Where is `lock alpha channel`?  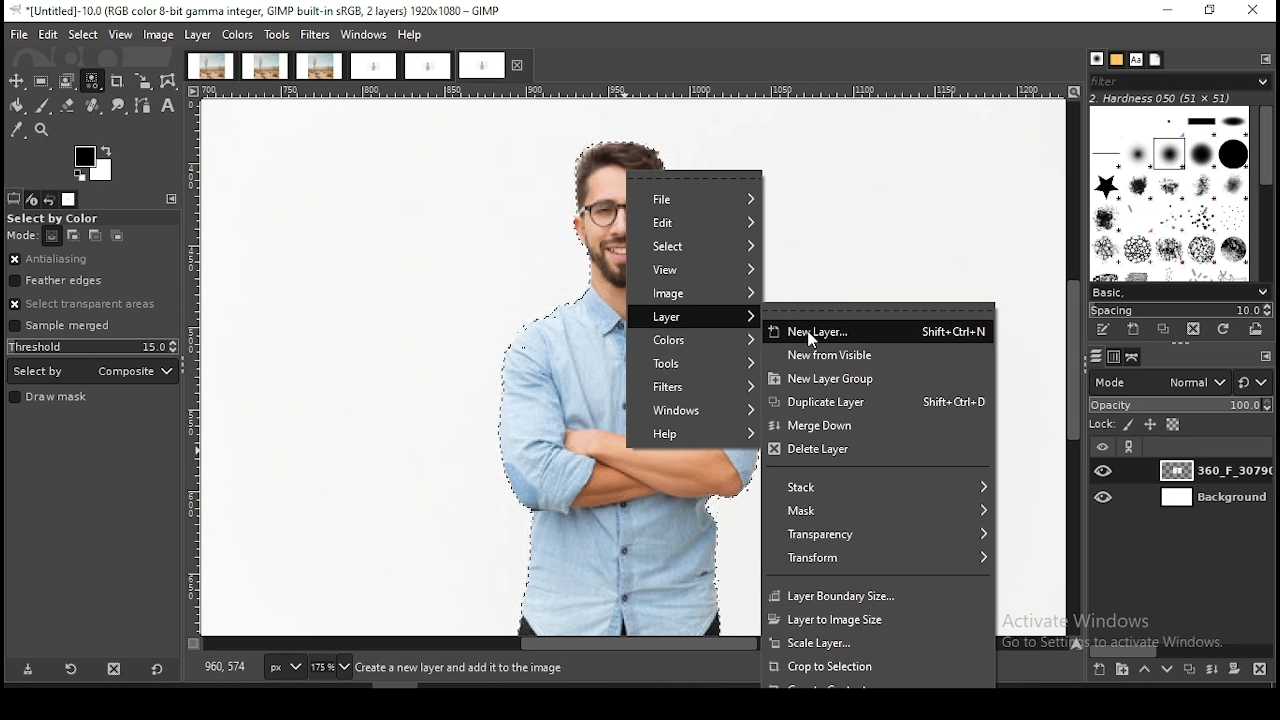 lock alpha channel is located at coordinates (1173, 425).